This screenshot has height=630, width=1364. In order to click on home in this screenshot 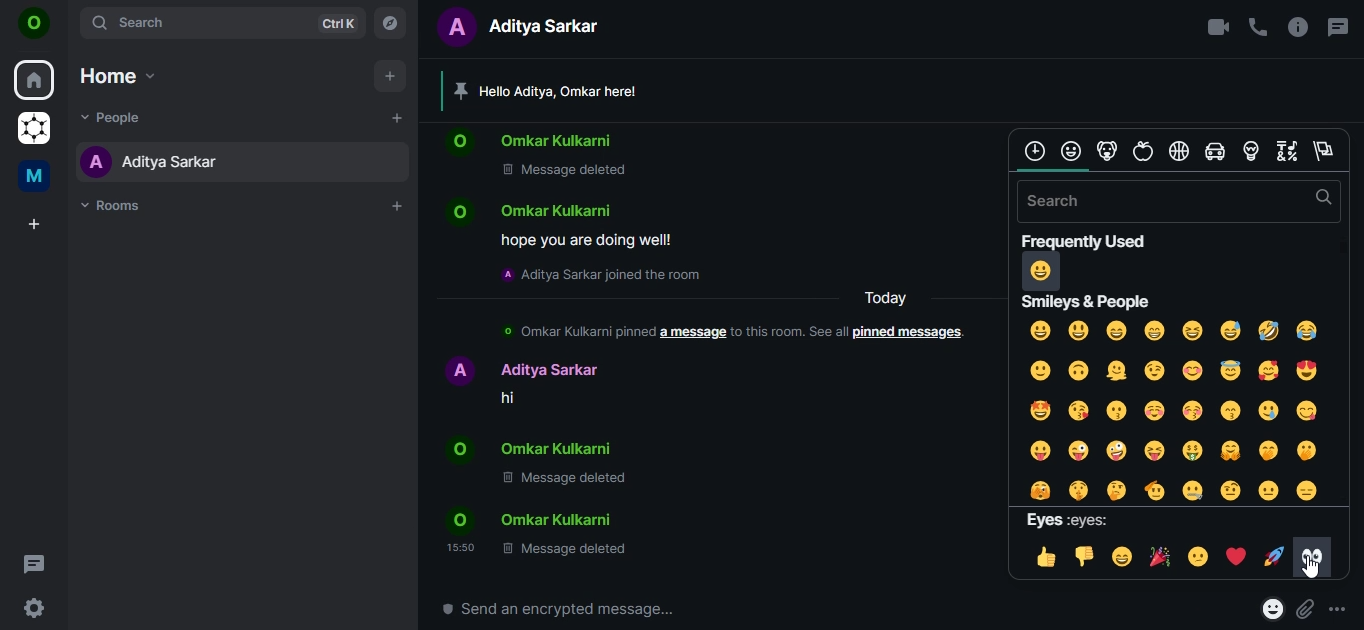, I will do `click(118, 73)`.